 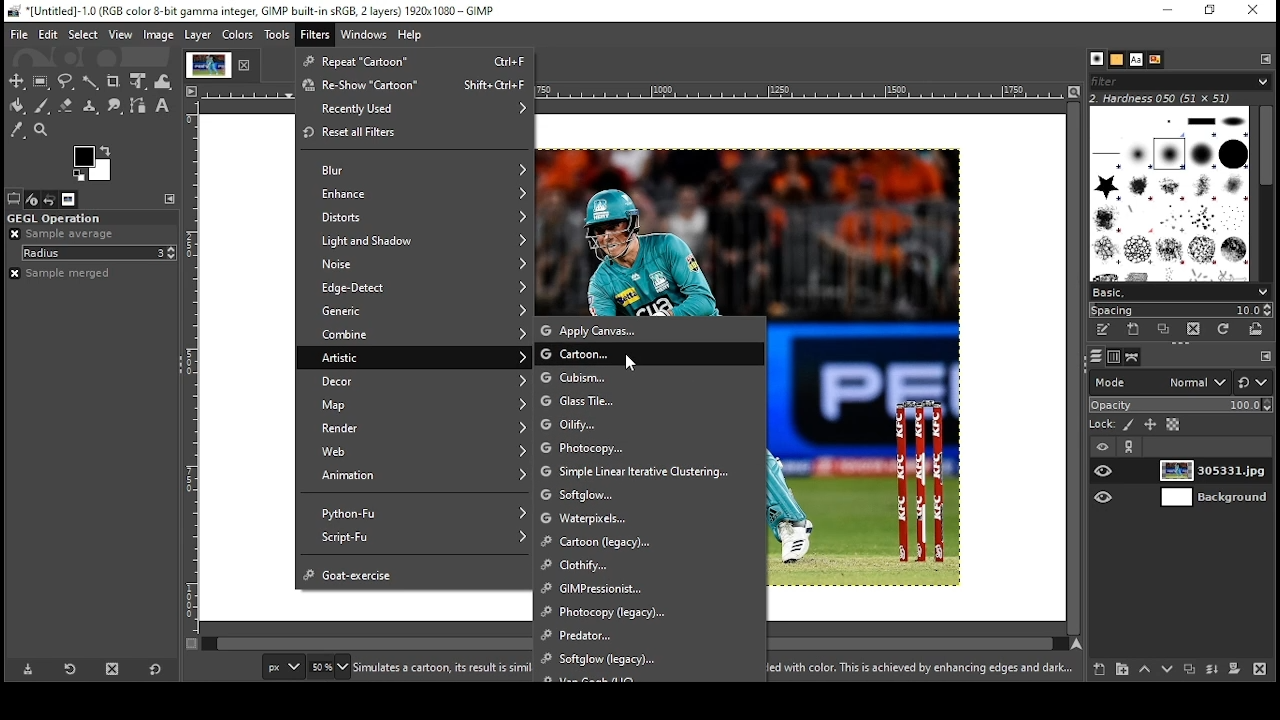 I want to click on color picker tool, so click(x=17, y=130).